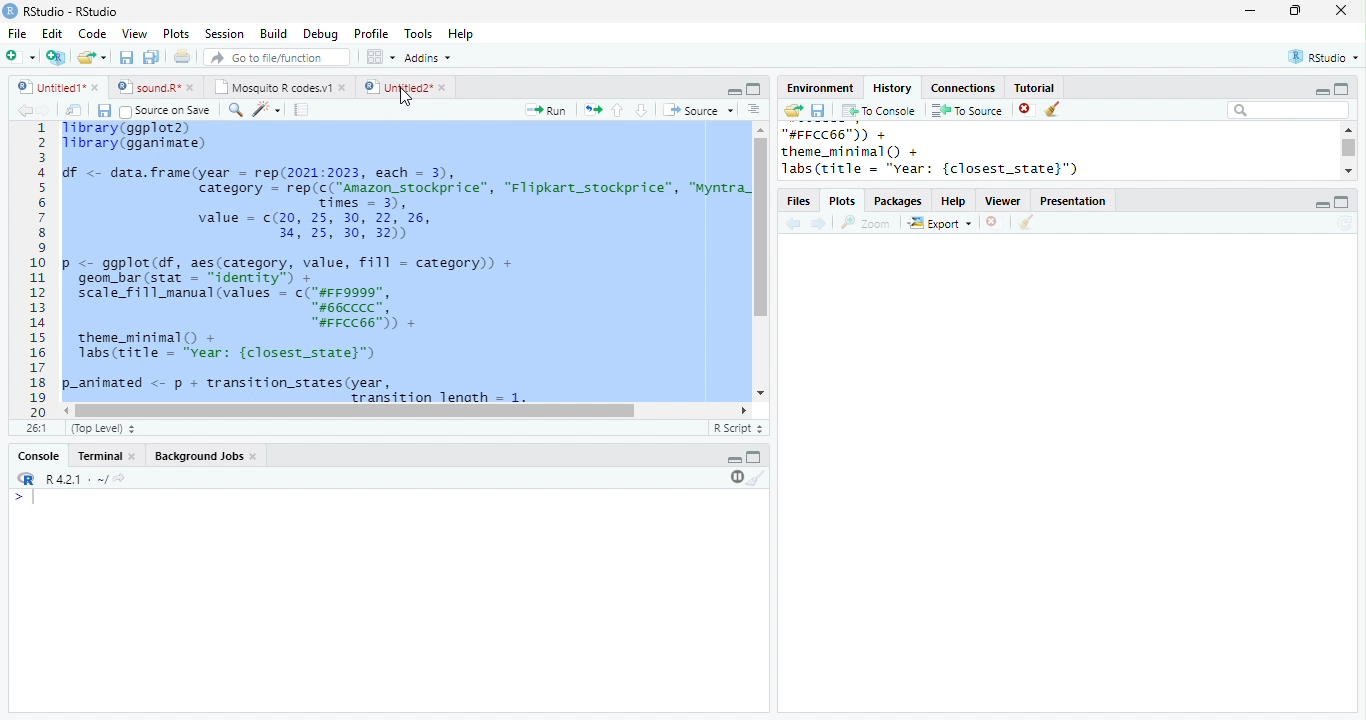 The width and height of the screenshot is (1366, 720). I want to click on minimize, so click(734, 460).